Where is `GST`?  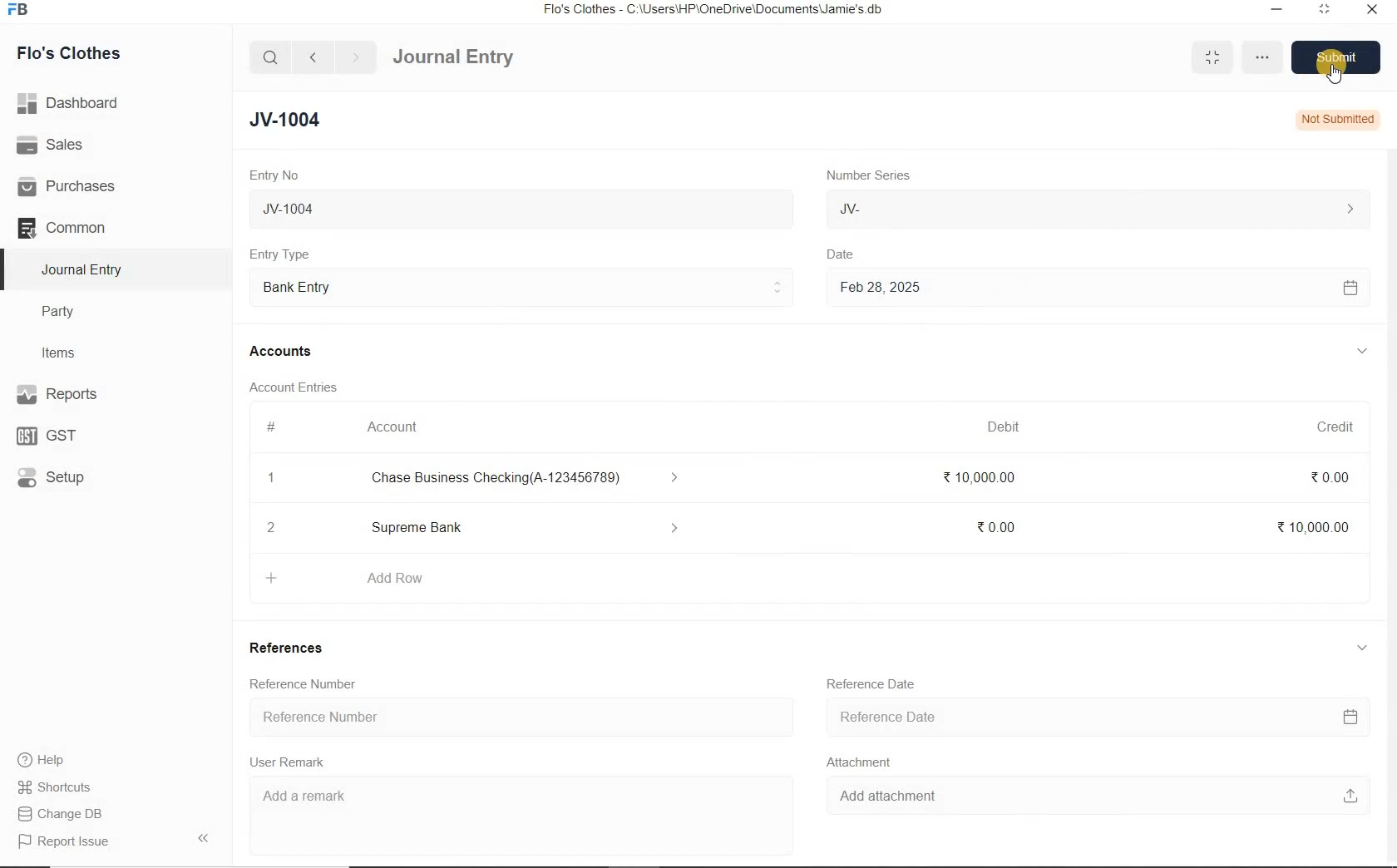 GST is located at coordinates (54, 434).